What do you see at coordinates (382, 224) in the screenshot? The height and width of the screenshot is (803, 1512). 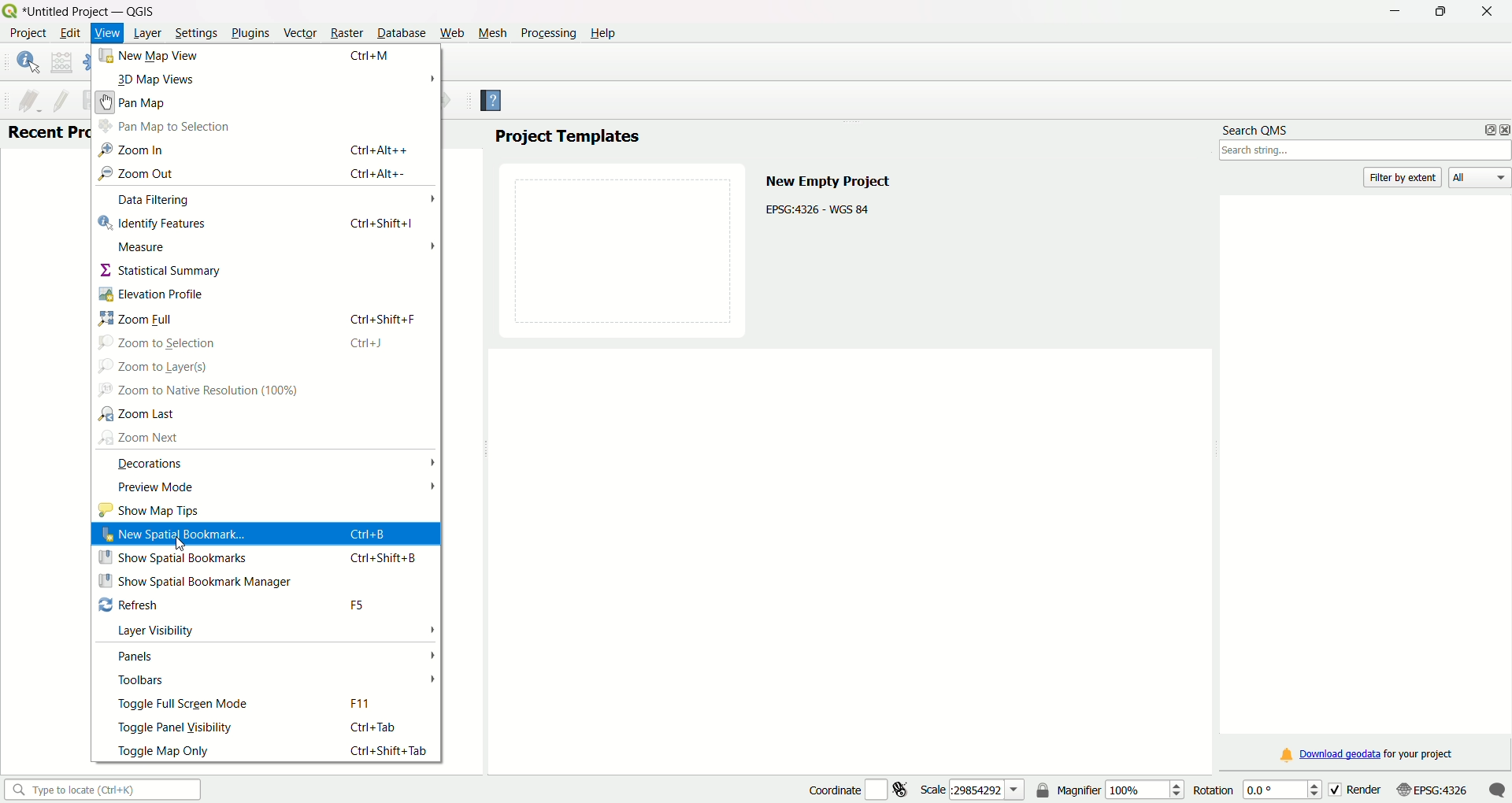 I see `ctrl+shift+I` at bounding box center [382, 224].